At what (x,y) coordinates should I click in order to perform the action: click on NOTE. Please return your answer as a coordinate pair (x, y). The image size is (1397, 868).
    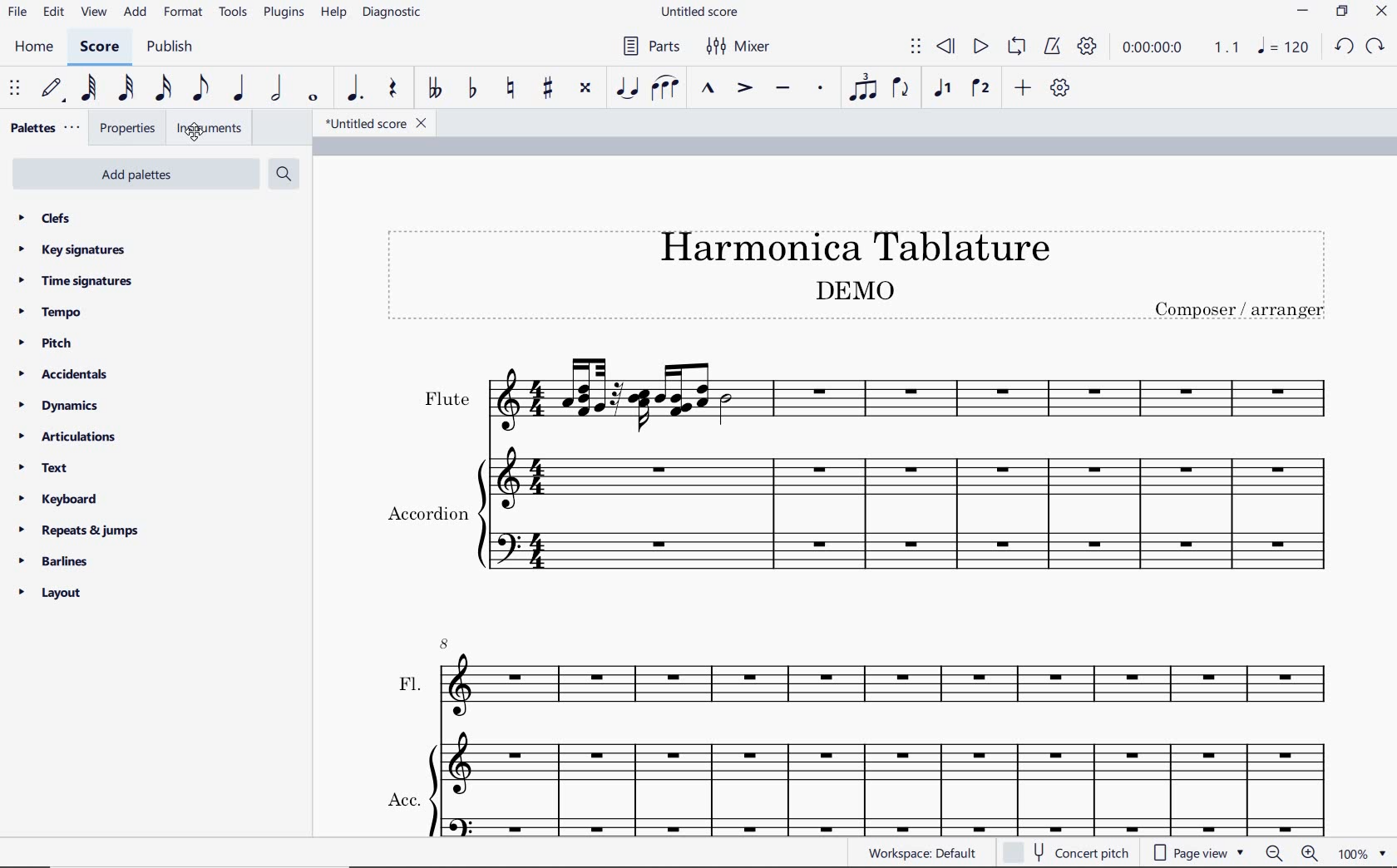
    Looking at the image, I should click on (1284, 49).